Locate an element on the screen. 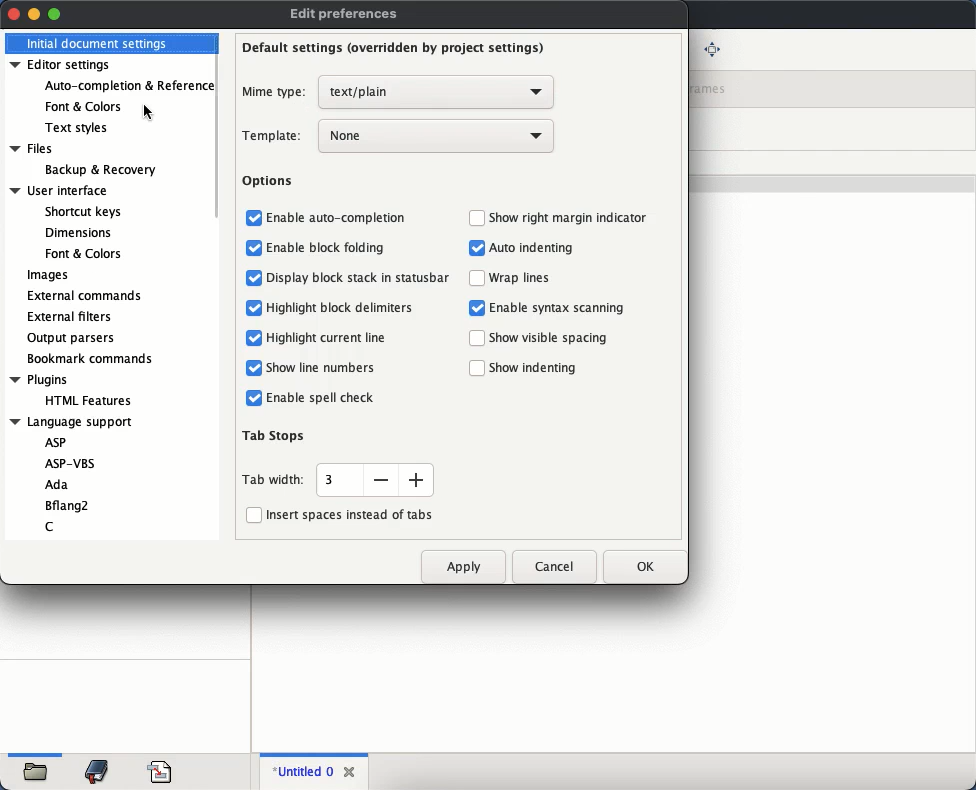 The width and height of the screenshot is (976, 790). user interface is located at coordinates (58, 190).